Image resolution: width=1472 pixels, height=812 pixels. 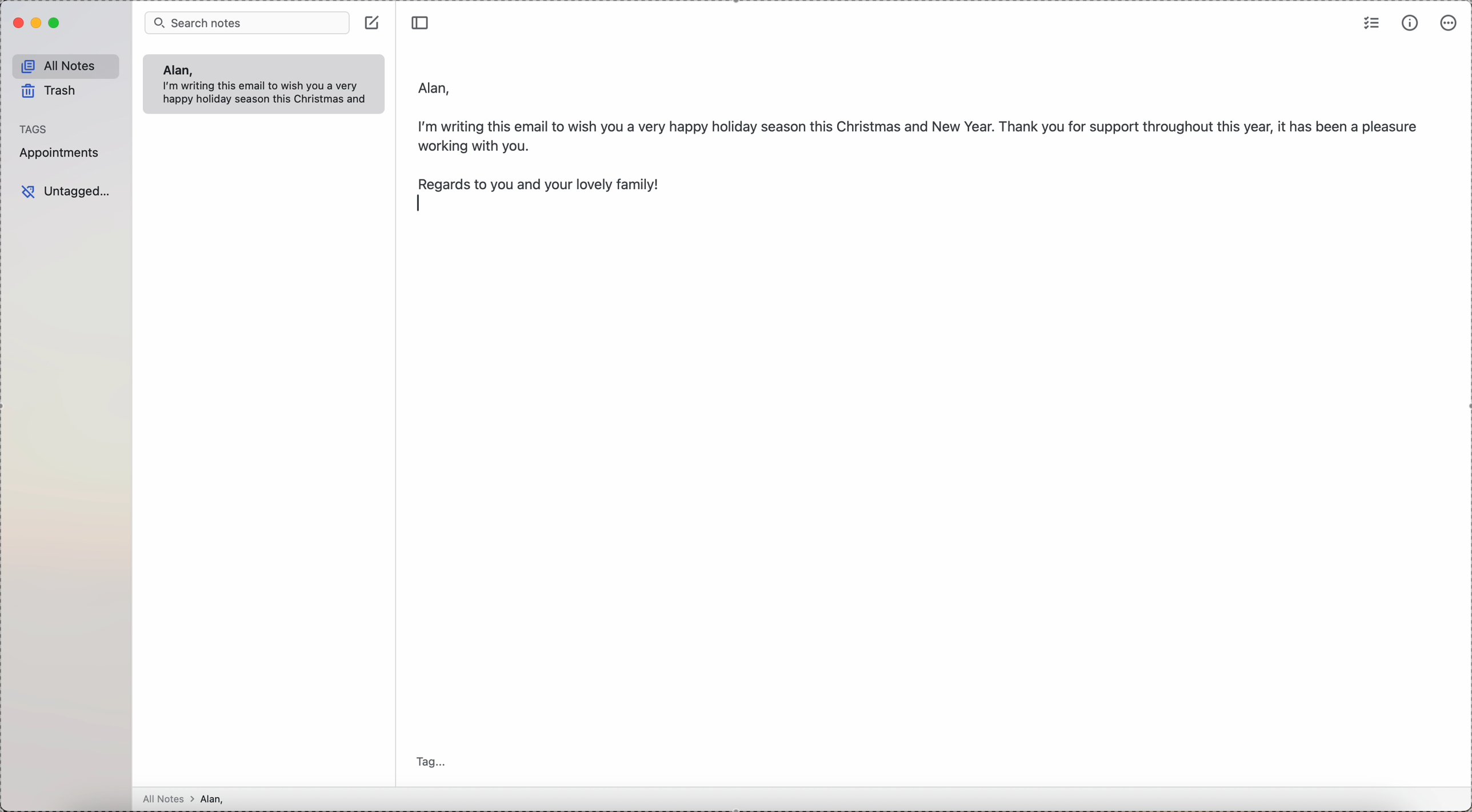 I want to click on enter/writing bar, so click(x=422, y=205).